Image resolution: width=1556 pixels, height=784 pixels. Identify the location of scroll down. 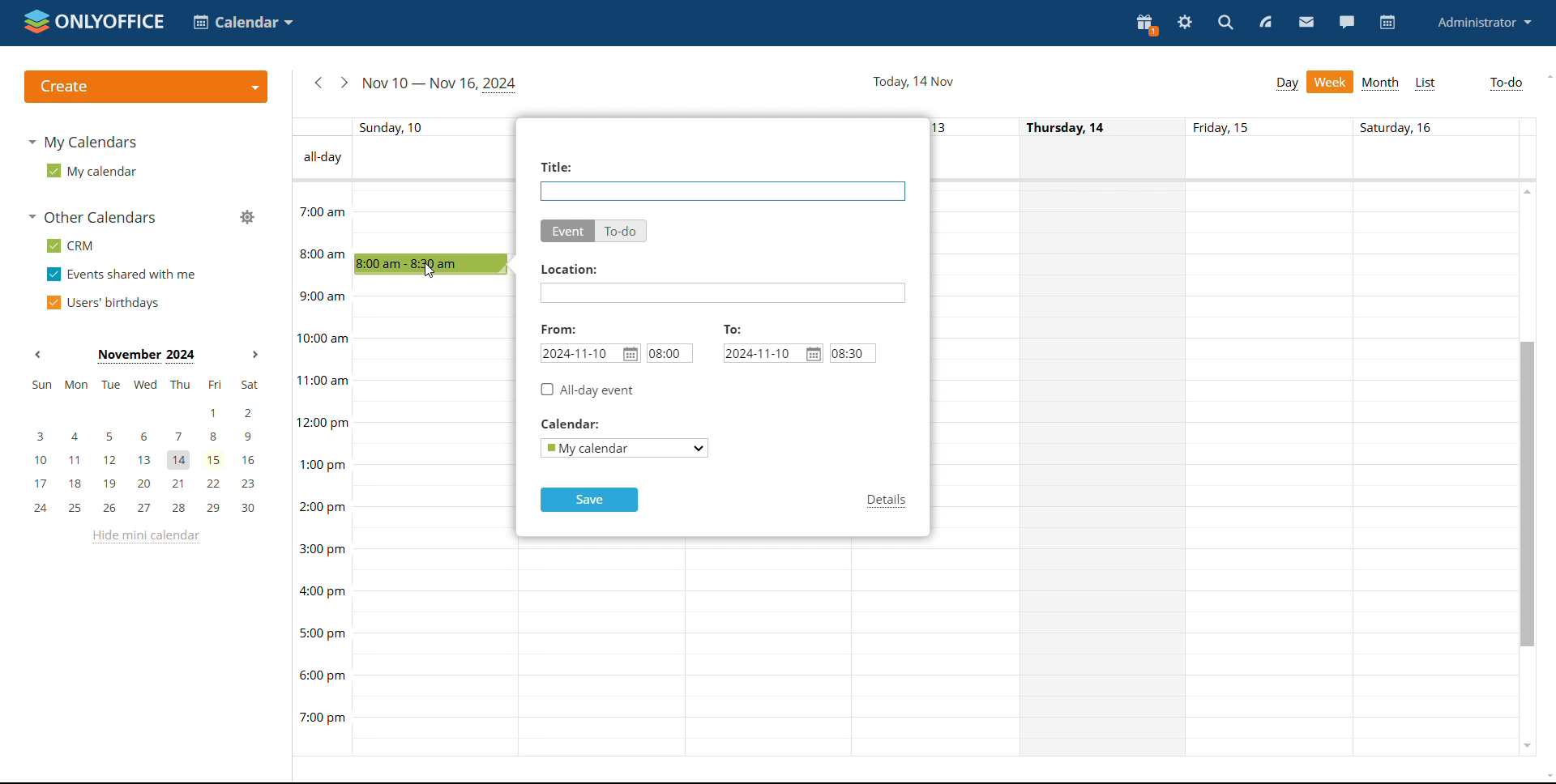
(1546, 775).